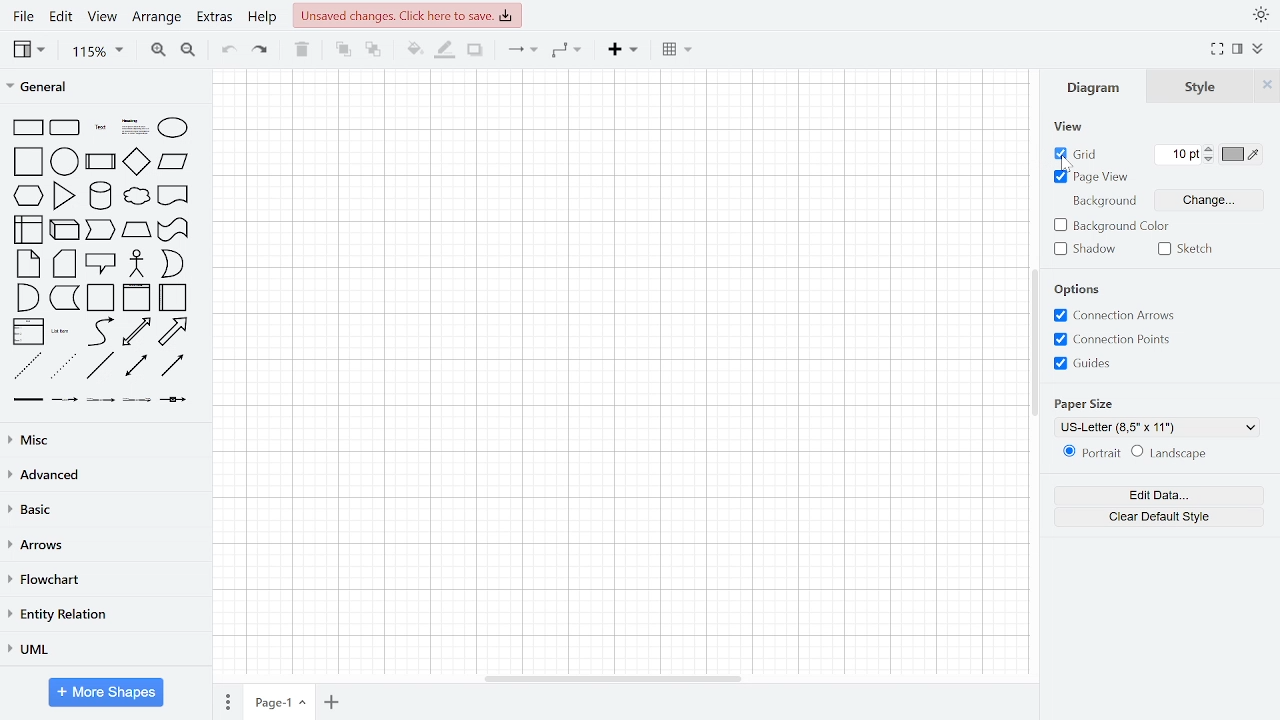 This screenshot has width=1280, height=720. Describe the element at coordinates (103, 582) in the screenshot. I see `flowchart` at that location.